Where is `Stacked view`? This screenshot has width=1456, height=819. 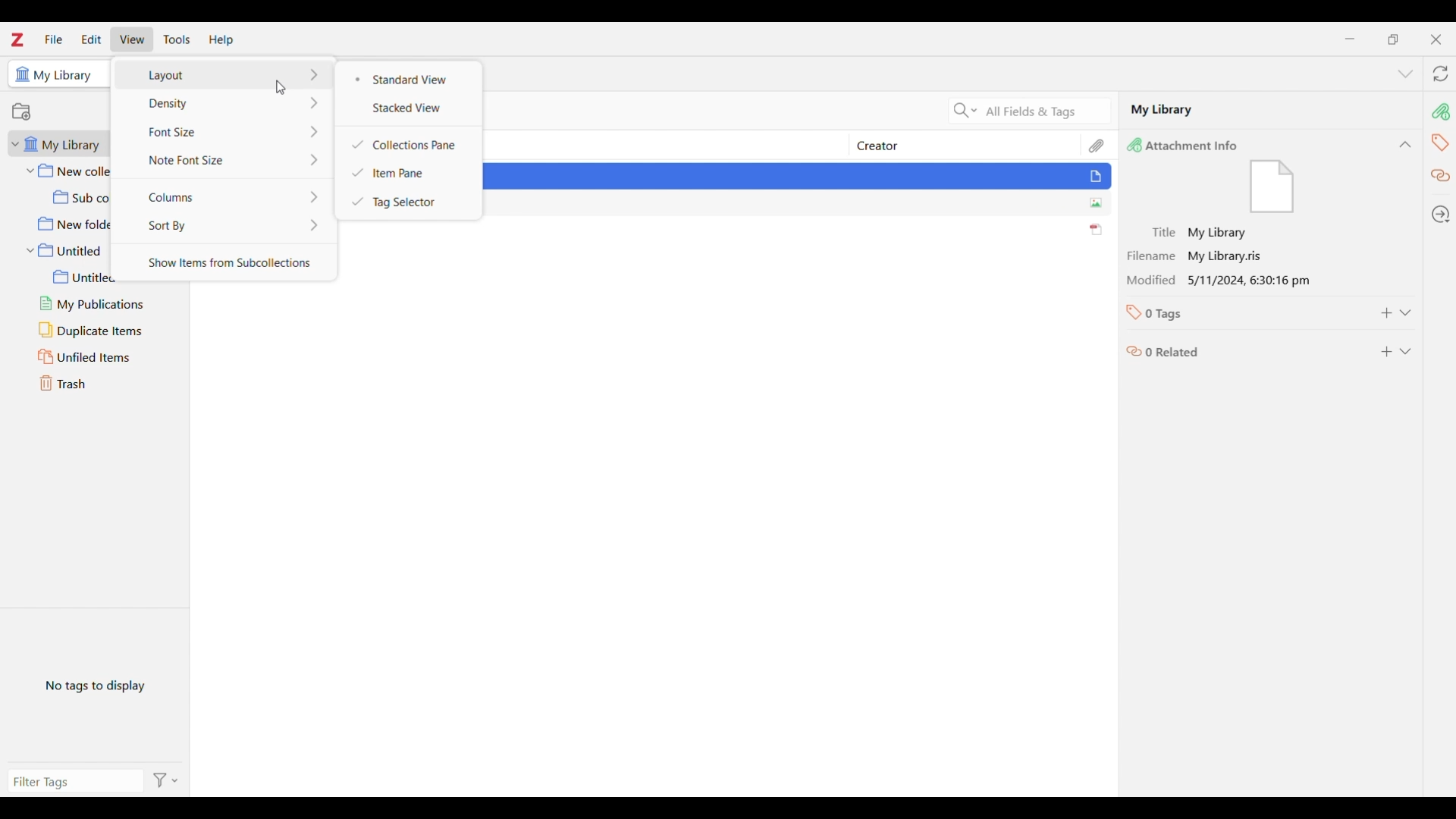 Stacked view is located at coordinates (409, 108).